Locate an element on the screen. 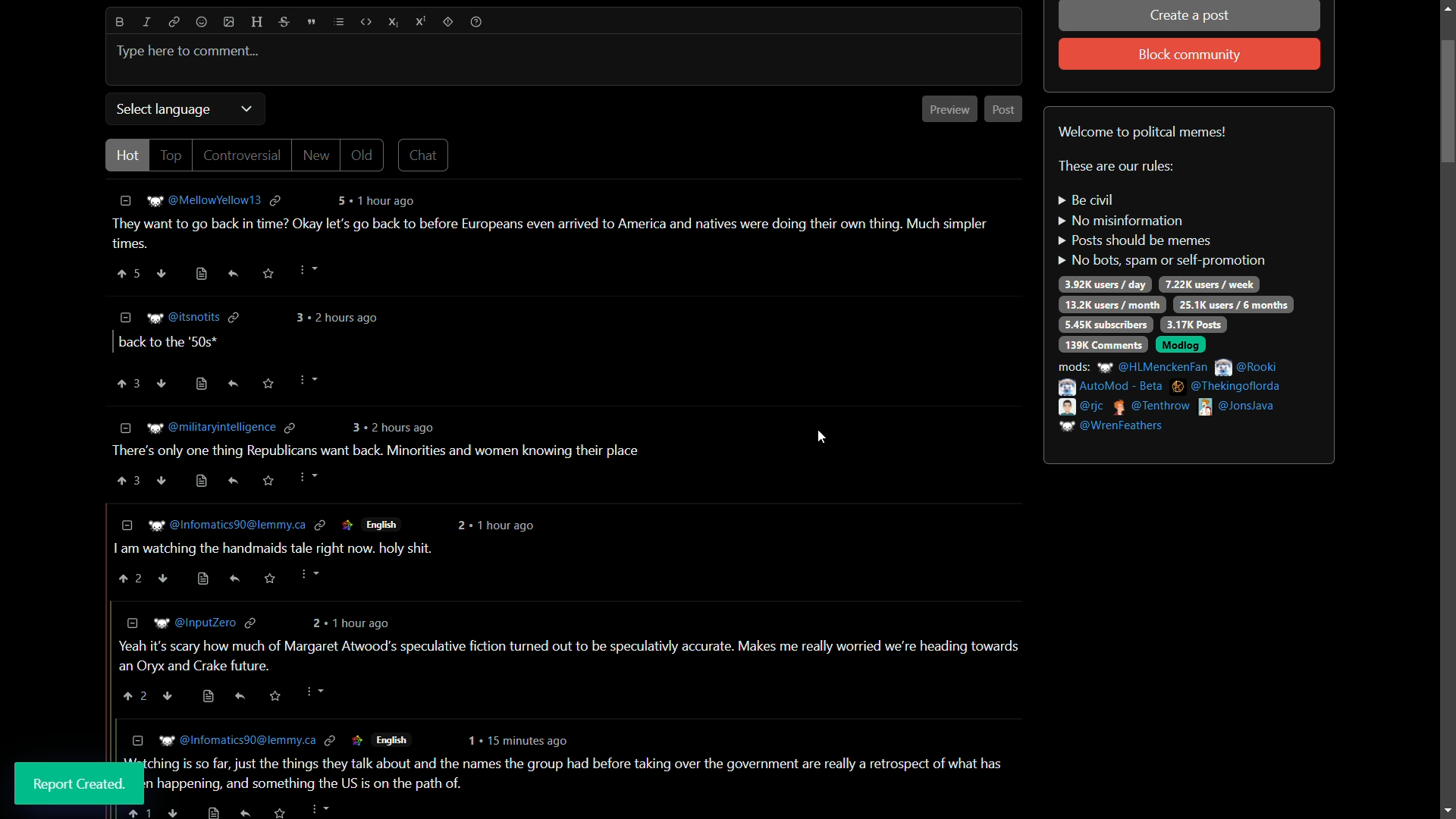 The width and height of the screenshot is (1456, 819). 25.1k users/6 months is located at coordinates (1234, 306).